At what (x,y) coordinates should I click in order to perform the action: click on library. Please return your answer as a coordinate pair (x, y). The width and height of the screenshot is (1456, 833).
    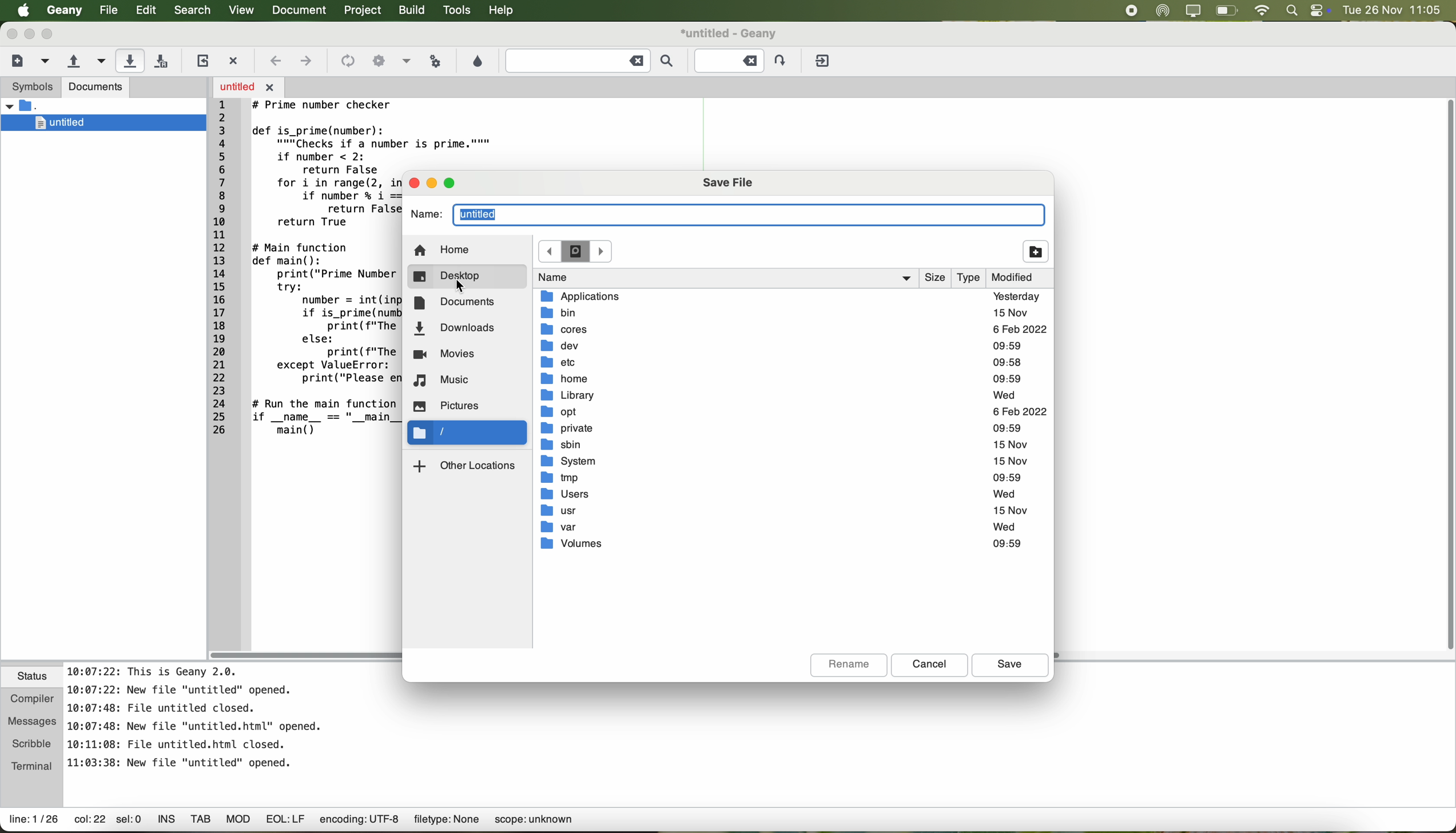
    Looking at the image, I should click on (781, 396).